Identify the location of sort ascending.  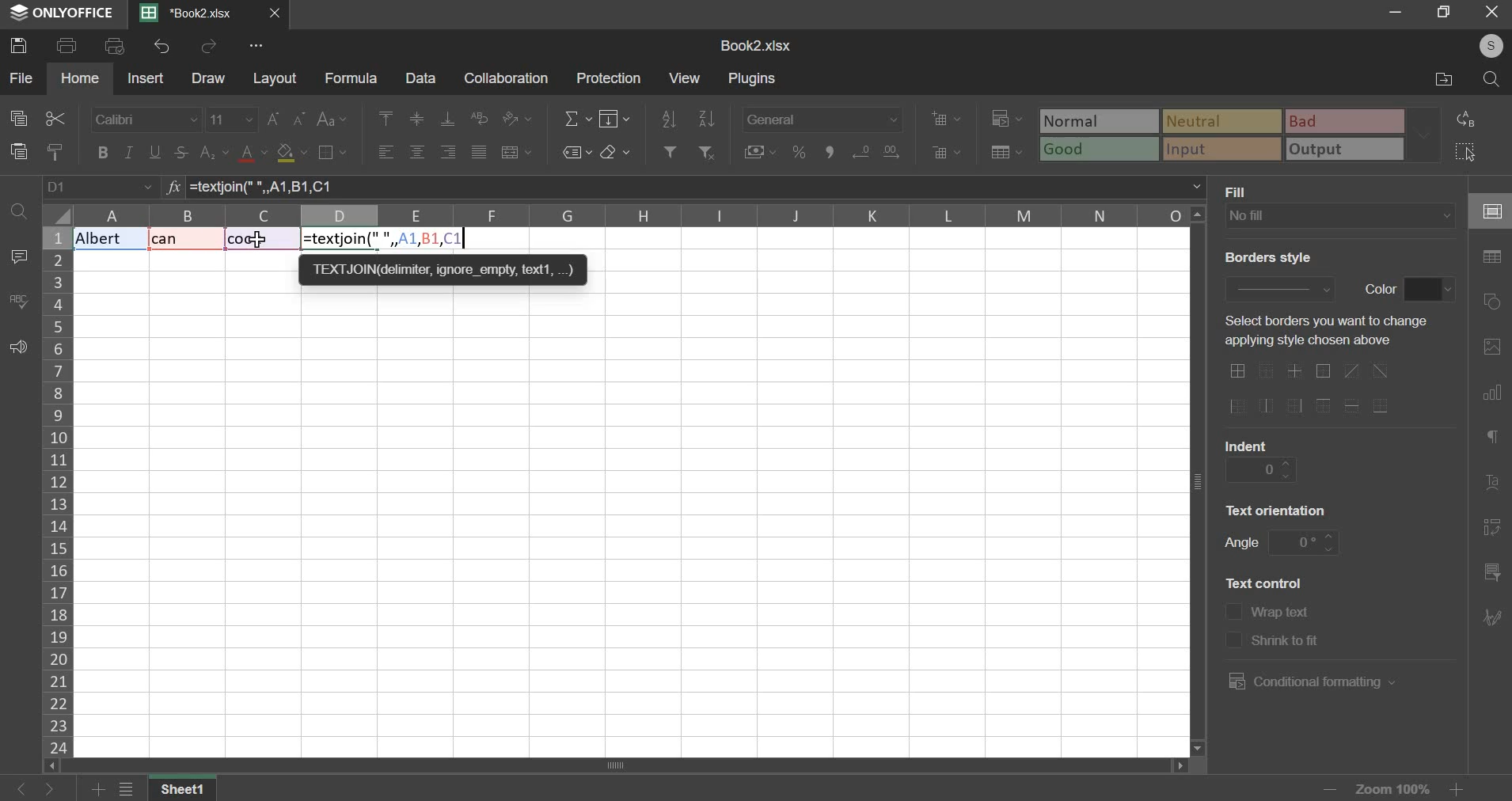
(669, 116).